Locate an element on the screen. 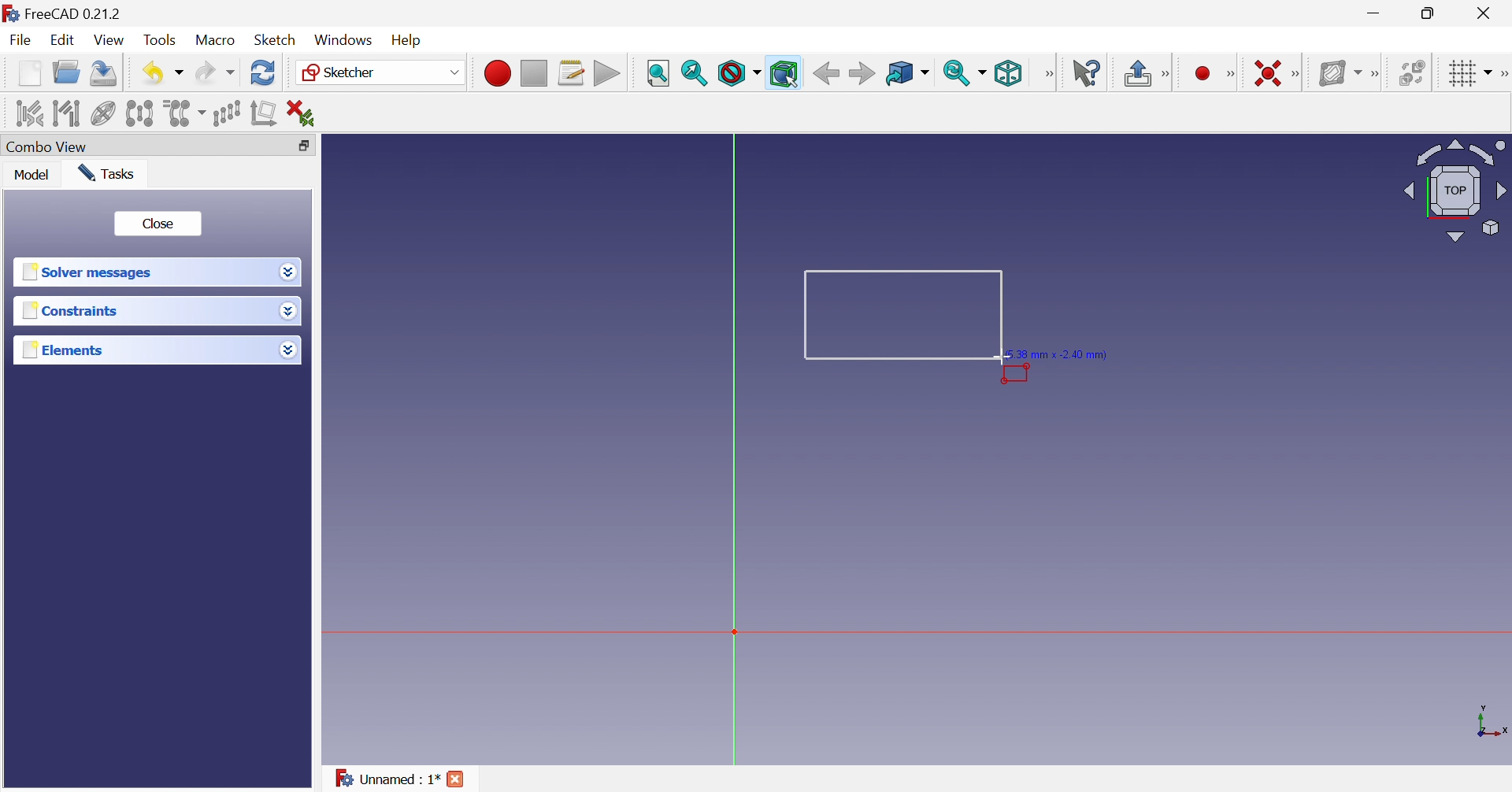  Close is located at coordinates (159, 224).